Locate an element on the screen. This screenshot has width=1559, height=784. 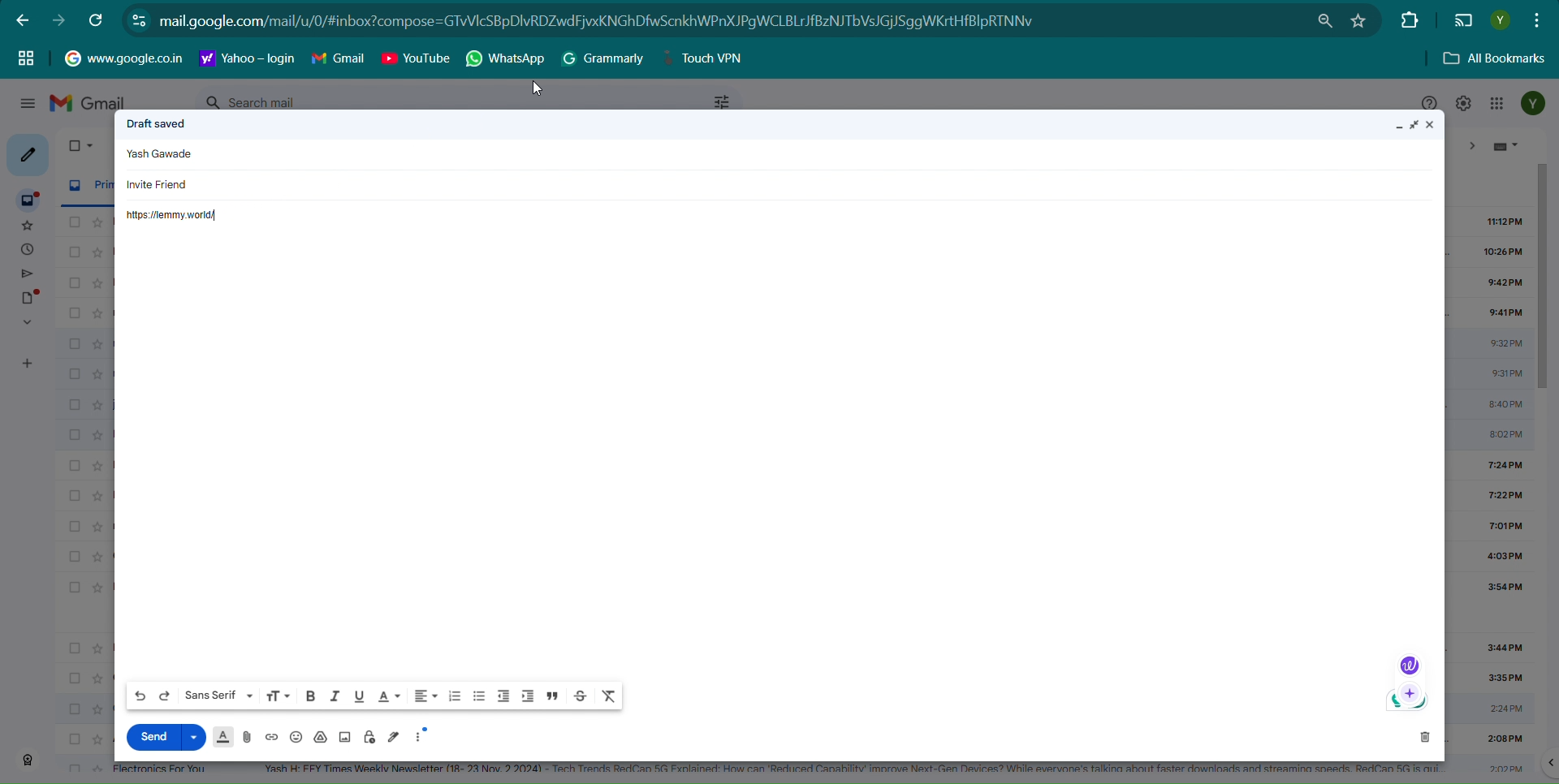
Touch VPN is located at coordinates (709, 58).